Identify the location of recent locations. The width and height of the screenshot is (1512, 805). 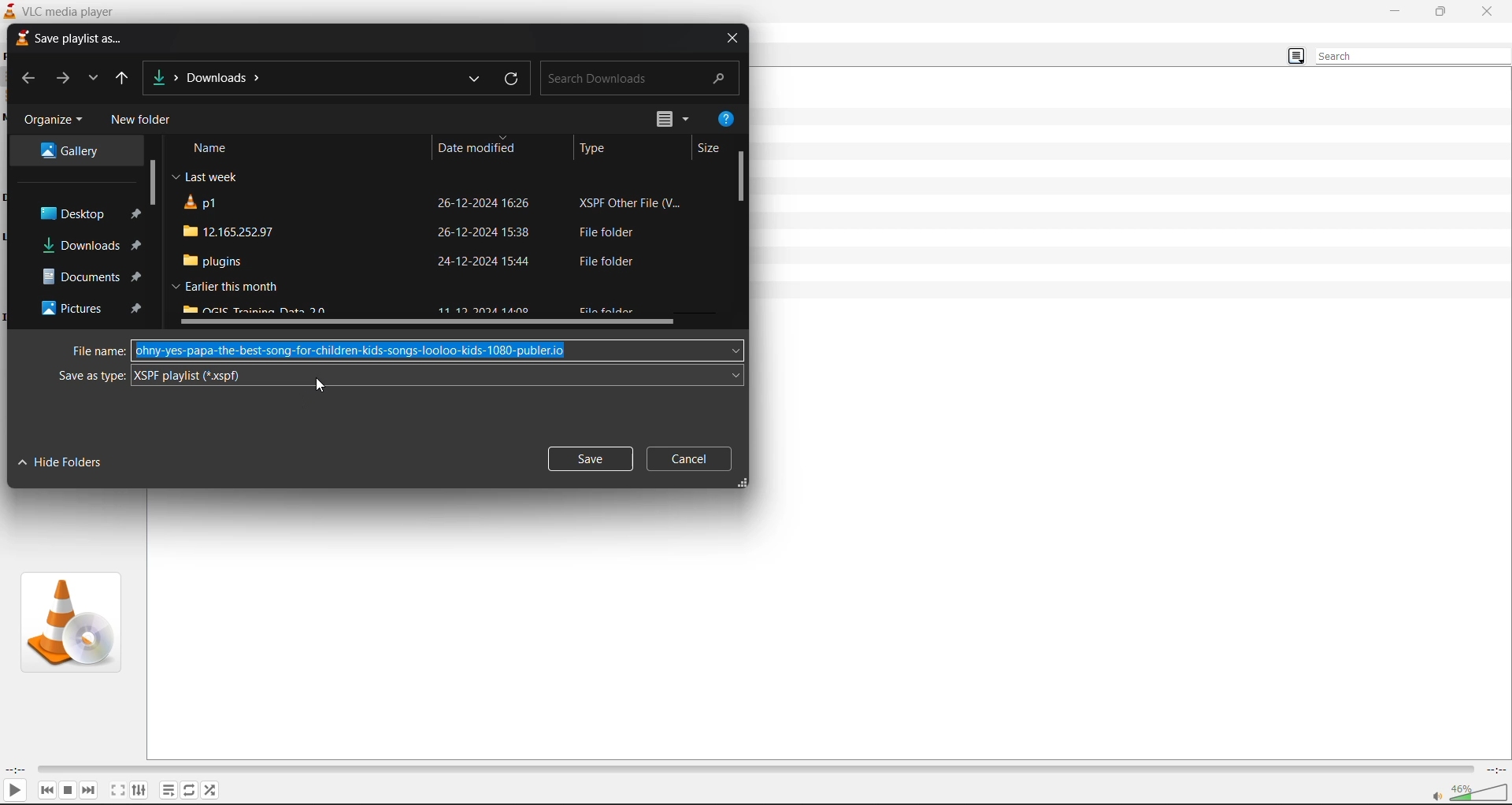
(97, 79).